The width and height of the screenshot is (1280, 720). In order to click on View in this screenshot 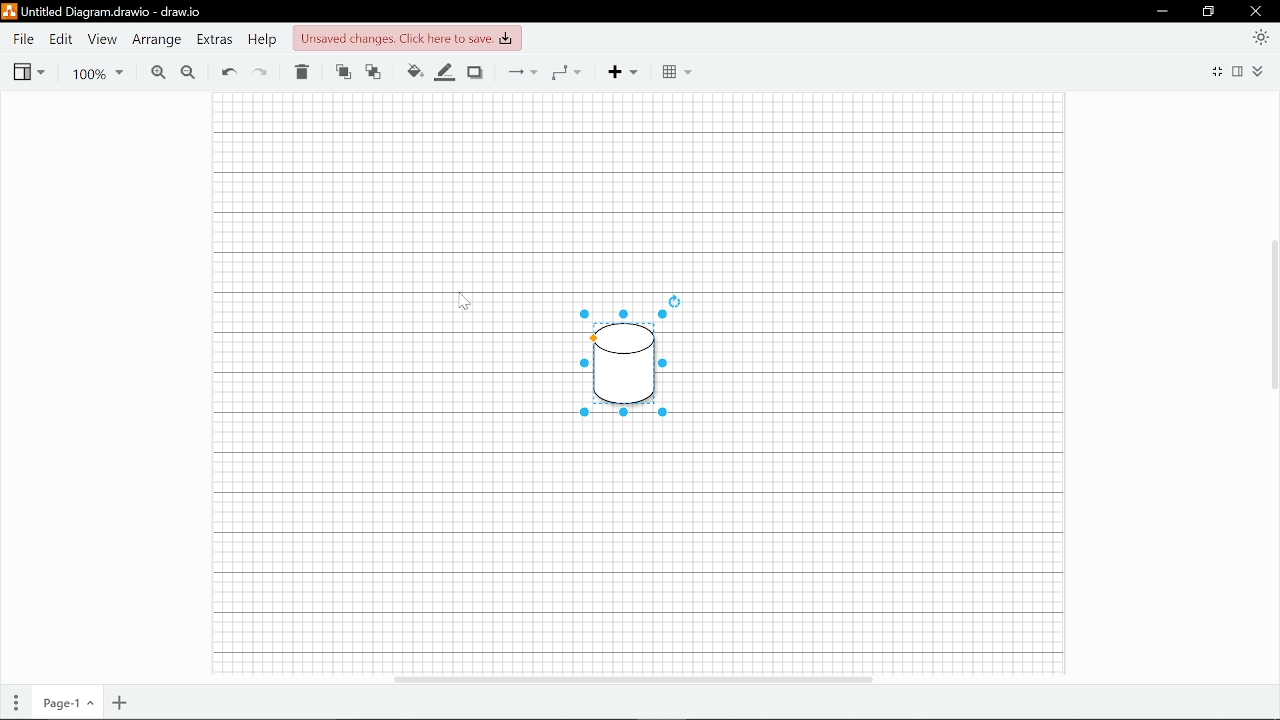, I will do `click(101, 40)`.